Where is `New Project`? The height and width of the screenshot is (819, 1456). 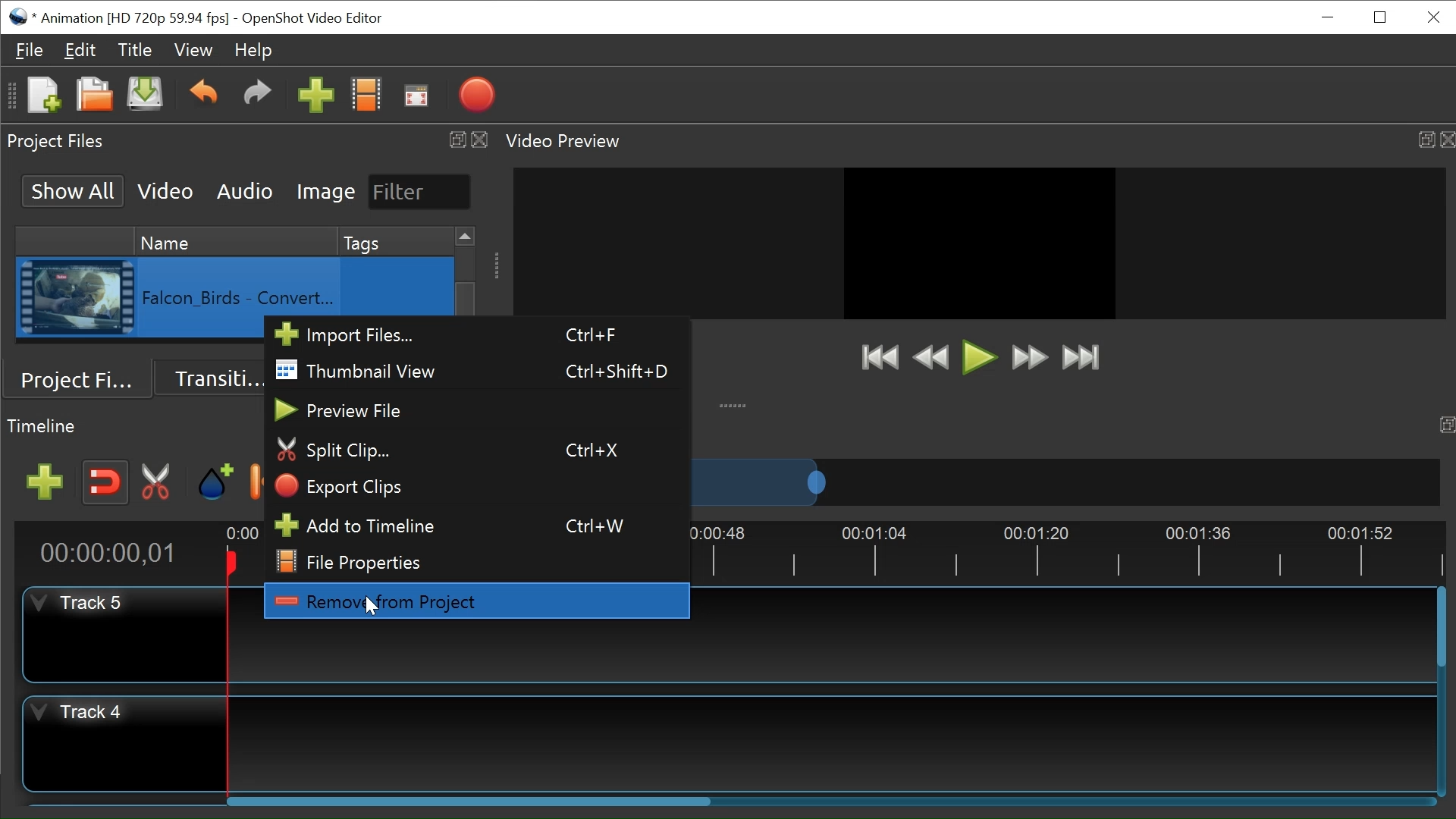 New Project is located at coordinates (43, 96).